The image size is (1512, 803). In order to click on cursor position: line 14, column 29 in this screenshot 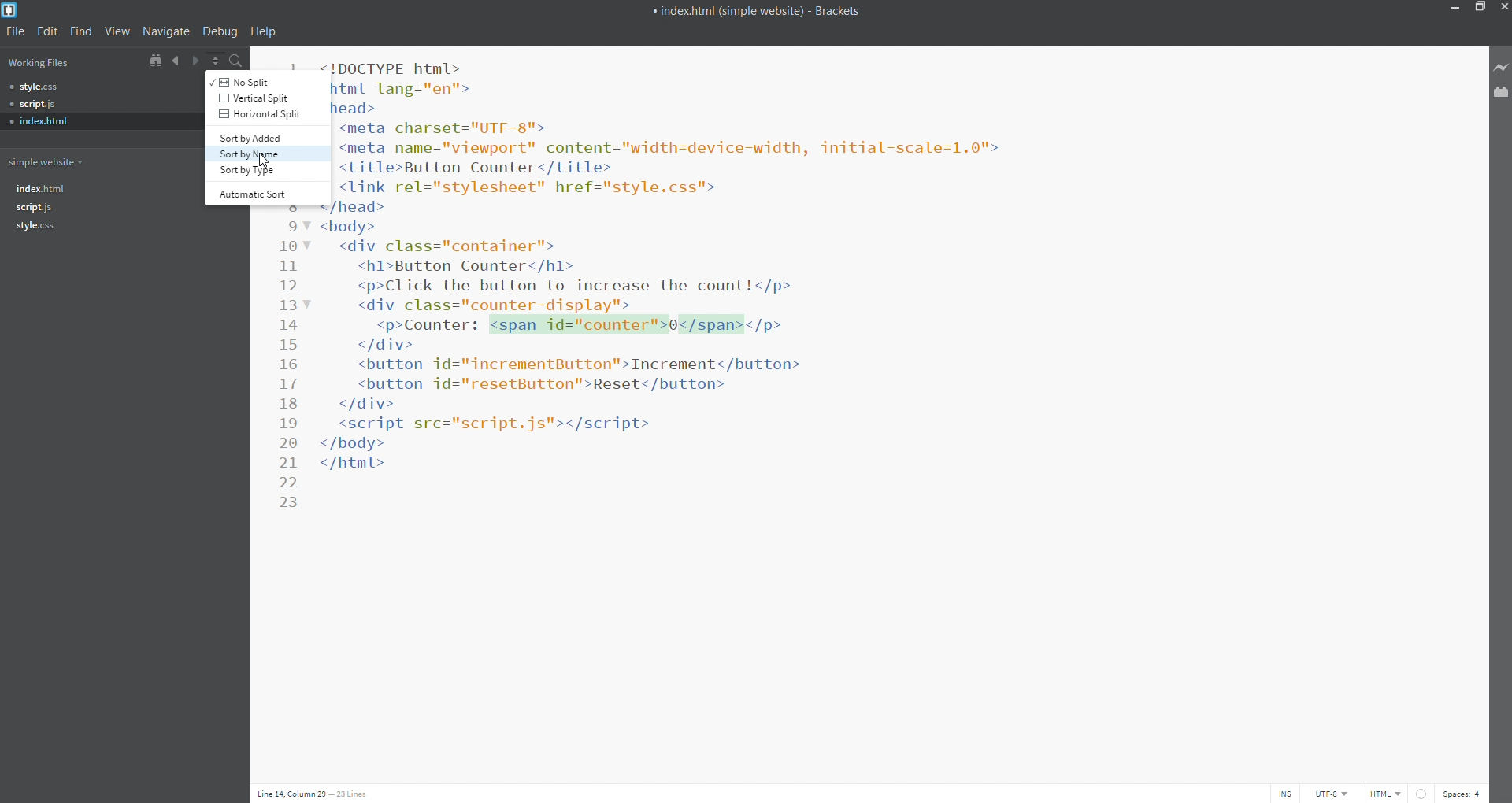, I will do `click(290, 794)`.